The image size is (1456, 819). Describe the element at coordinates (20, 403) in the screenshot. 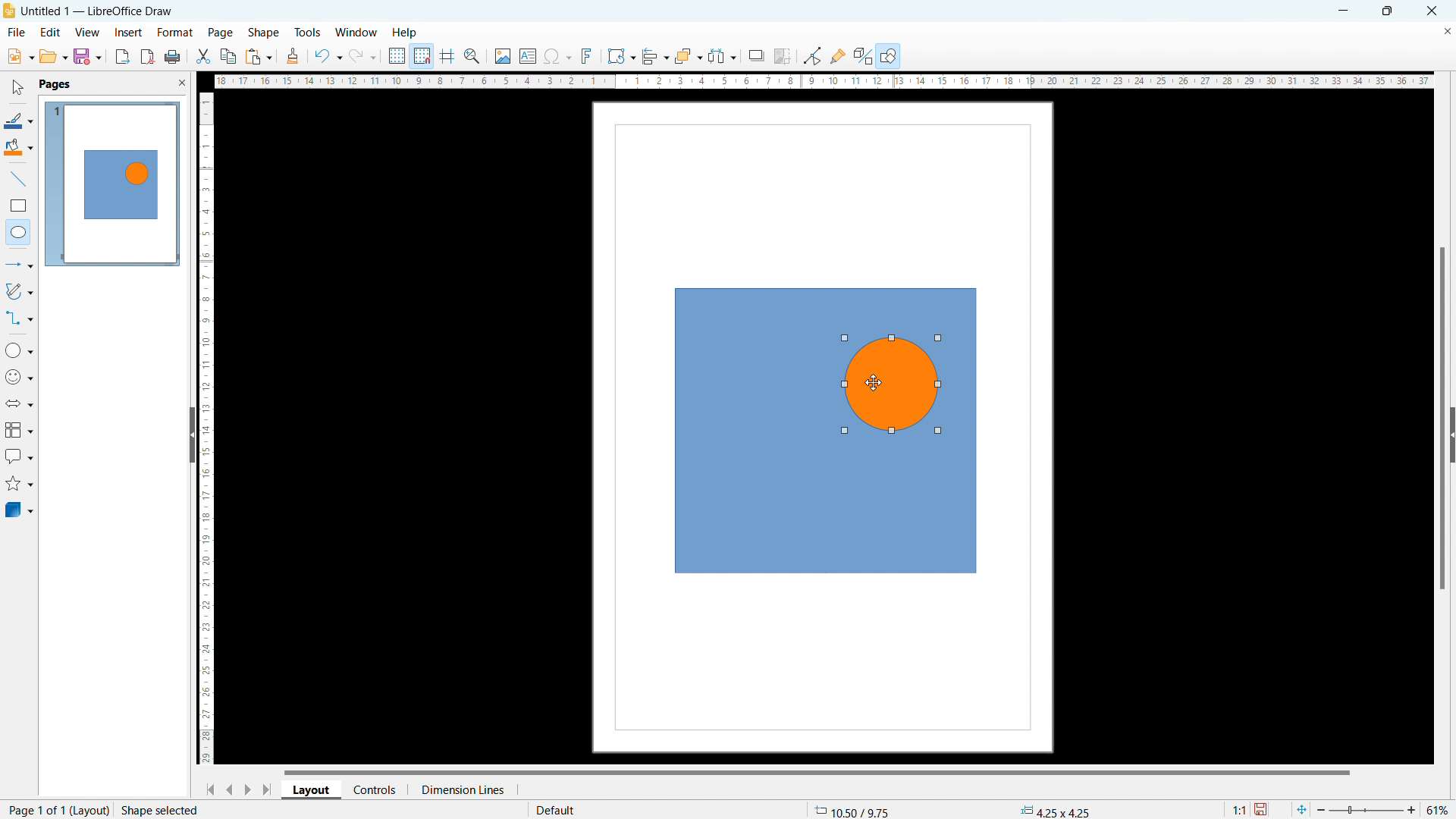

I see `block arrows` at that location.